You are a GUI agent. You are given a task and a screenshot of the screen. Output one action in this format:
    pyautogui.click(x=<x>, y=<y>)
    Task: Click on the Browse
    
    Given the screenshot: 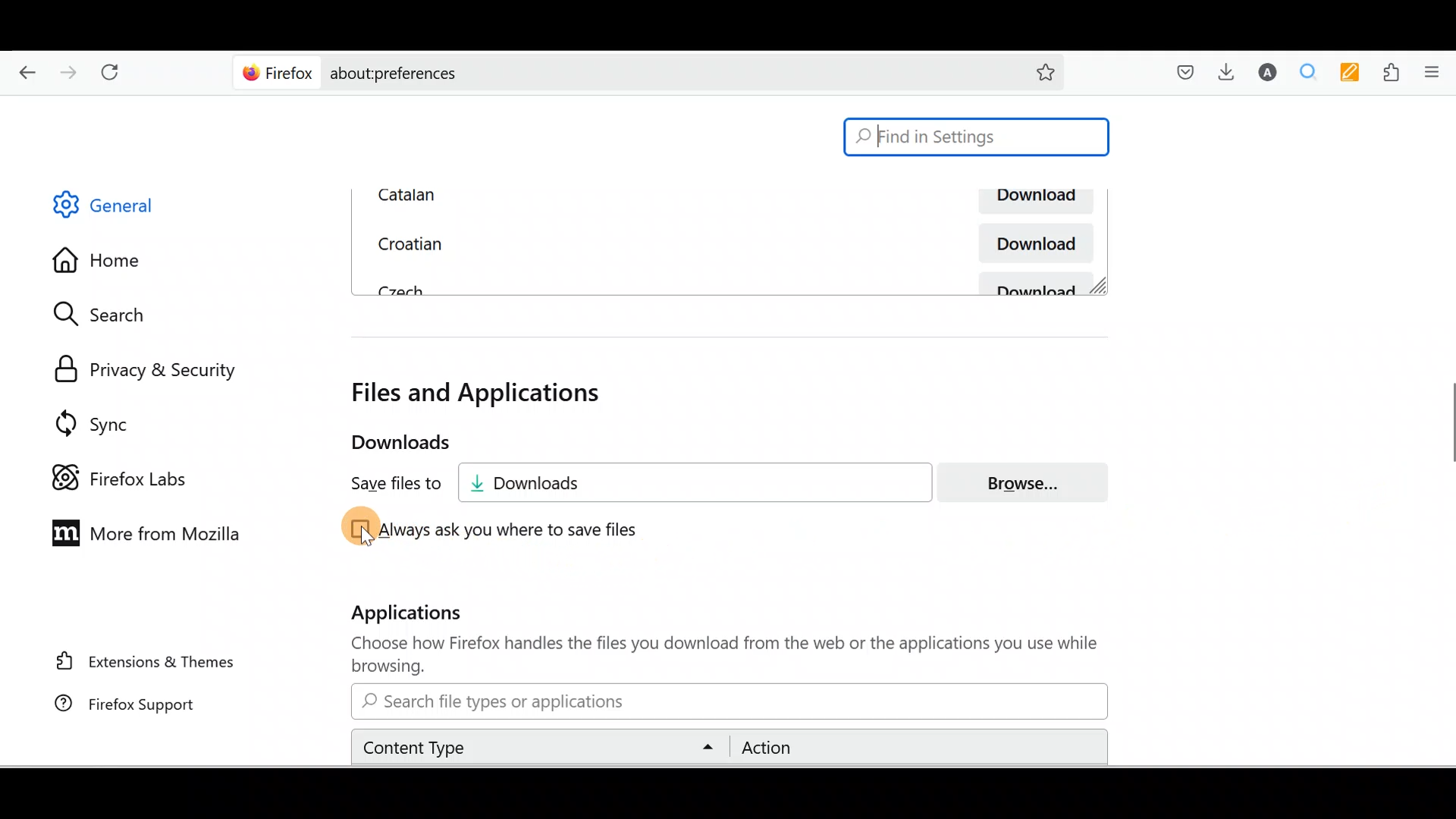 What is the action you would take?
    pyautogui.click(x=1032, y=482)
    